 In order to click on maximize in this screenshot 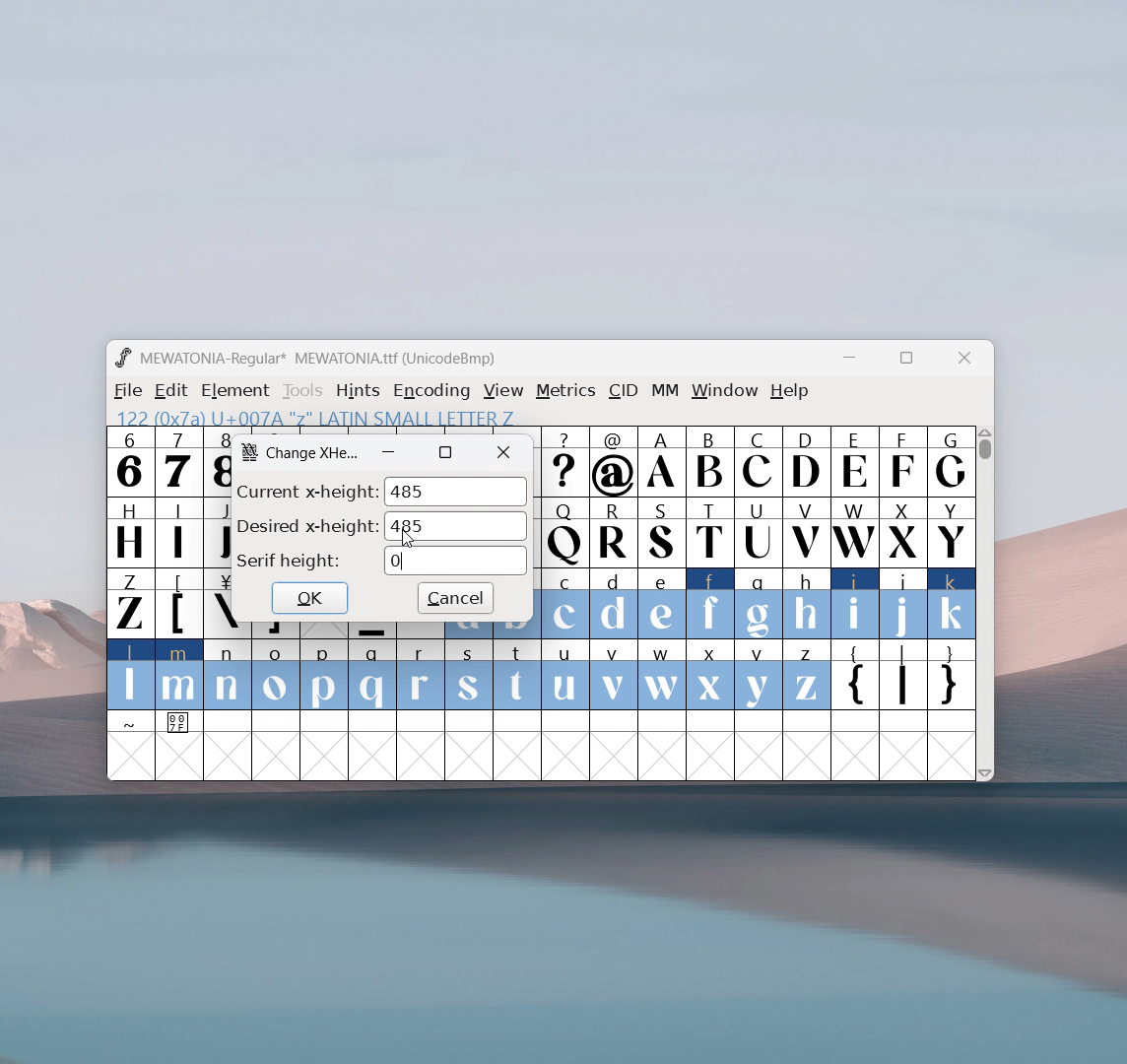, I will do `click(905, 361)`.